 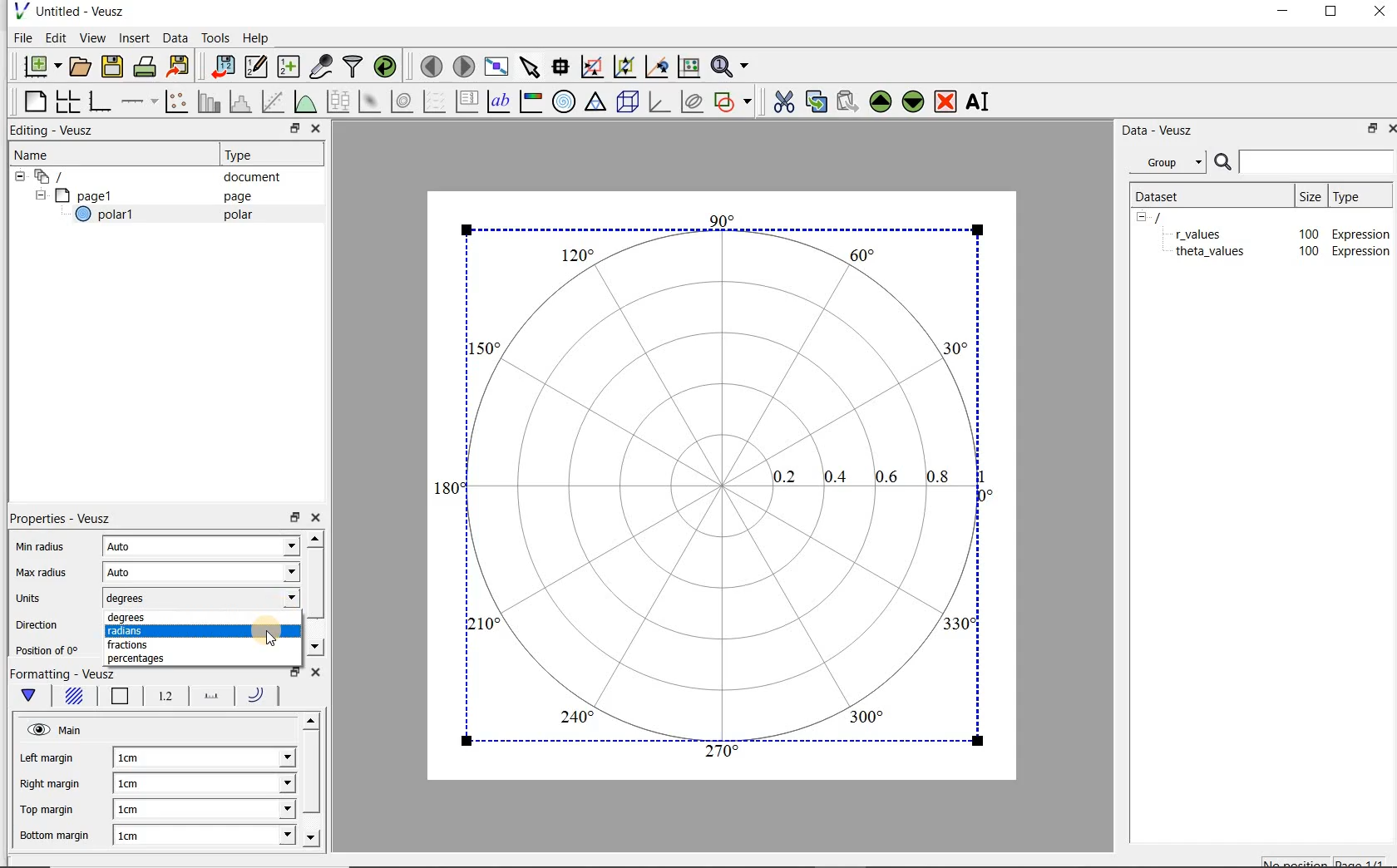 What do you see at coordinates (178, 101) in the screenshot?
I see `Plot points with lines and error bars` at bounding box center [178, 101].